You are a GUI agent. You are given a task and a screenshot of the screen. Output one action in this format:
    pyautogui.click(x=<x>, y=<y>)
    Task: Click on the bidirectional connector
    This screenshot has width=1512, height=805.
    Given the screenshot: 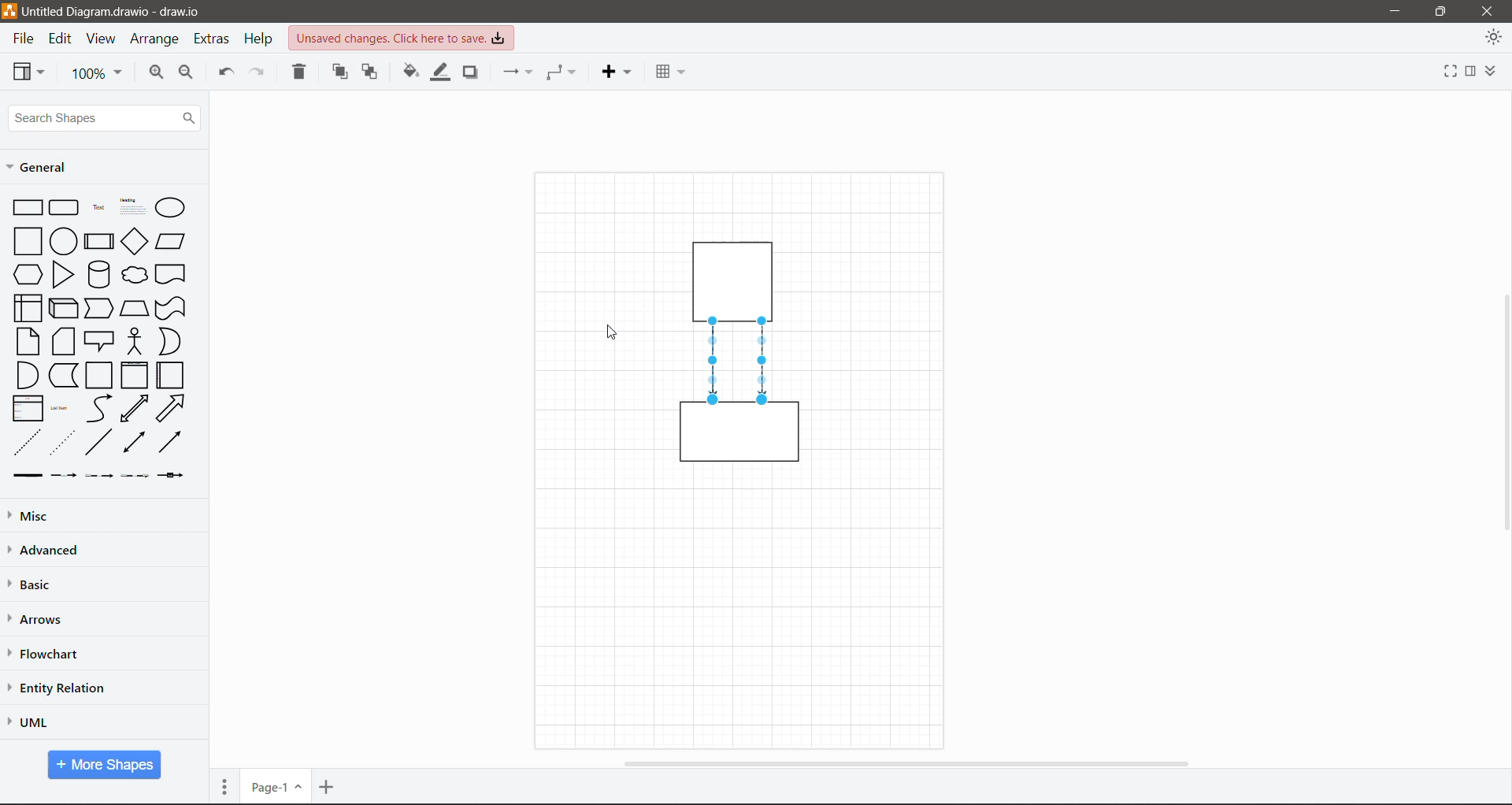 What is the action you would take?
    pyautogui.click(x=132, y=443)
    